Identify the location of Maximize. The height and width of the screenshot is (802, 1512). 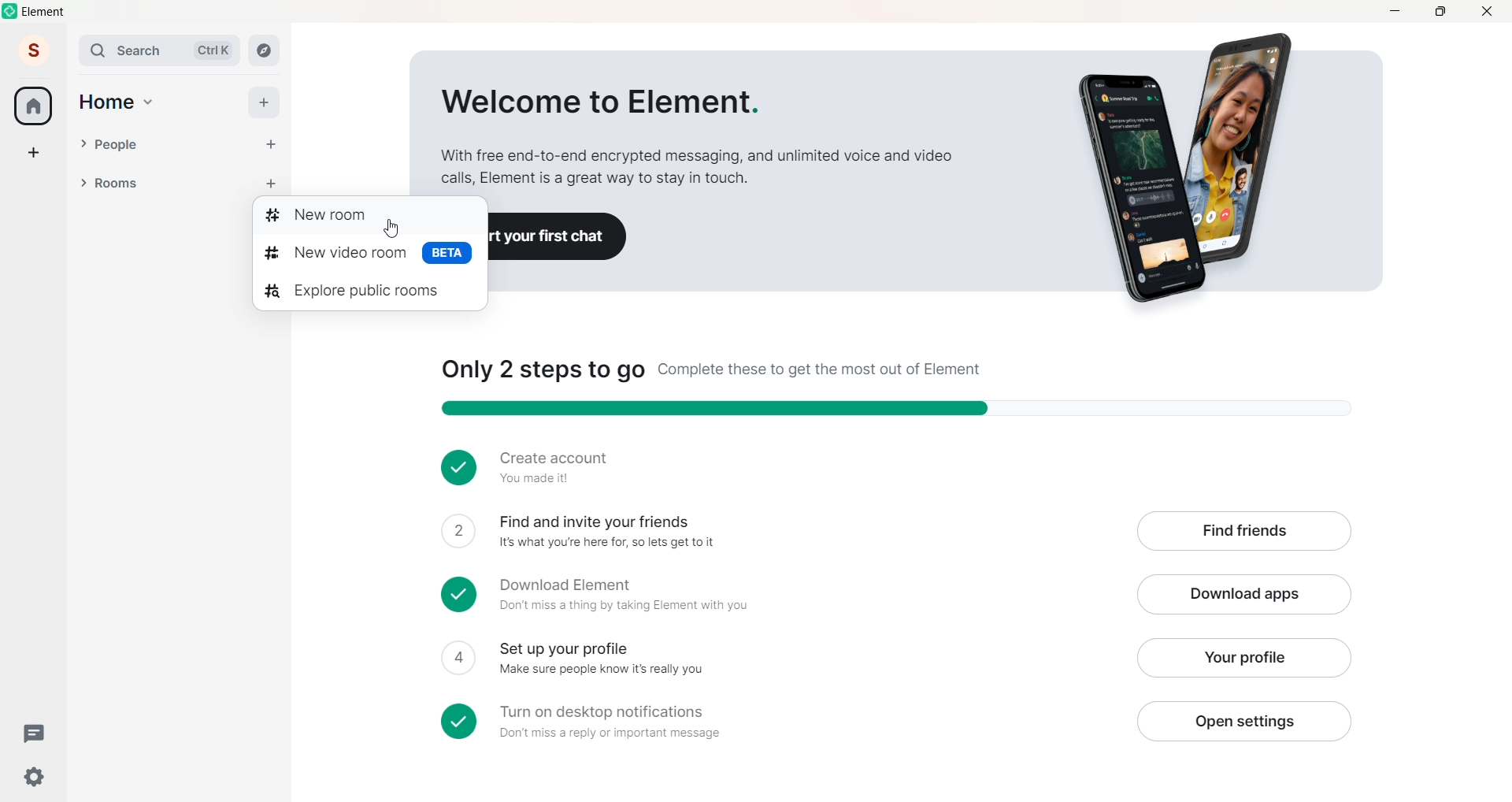
(1440, 10).